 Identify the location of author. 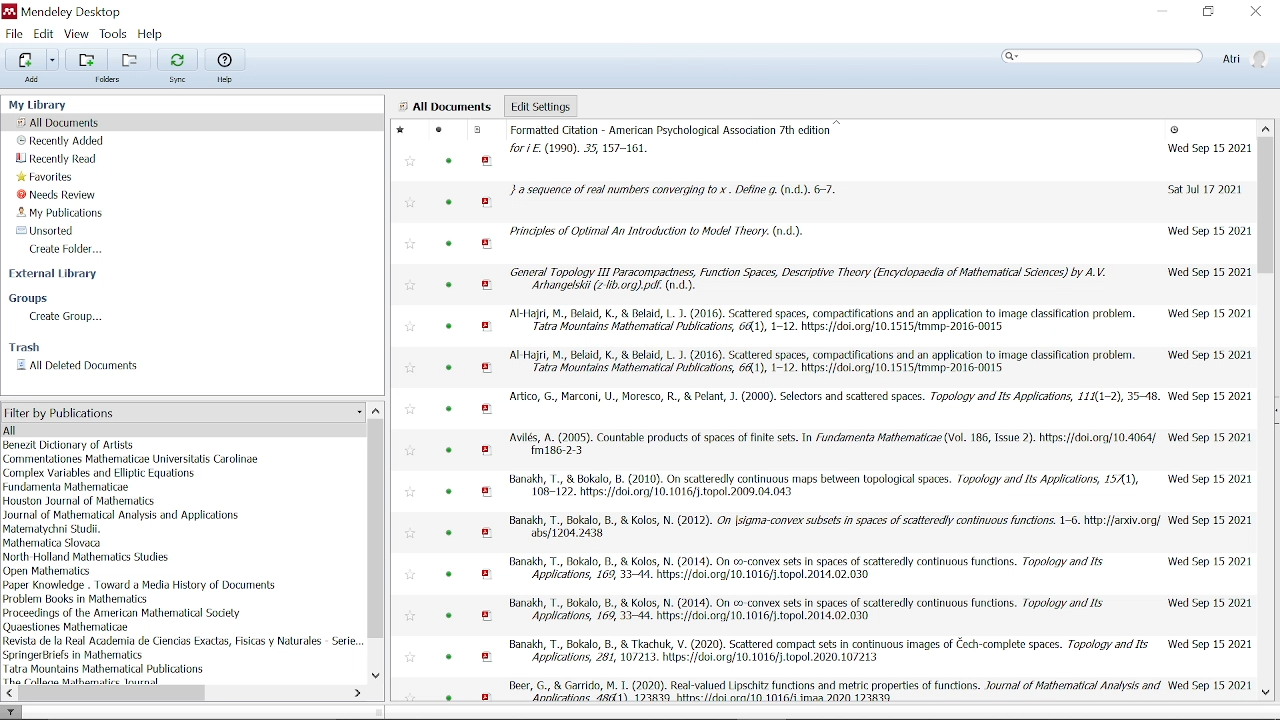
(78, 501).